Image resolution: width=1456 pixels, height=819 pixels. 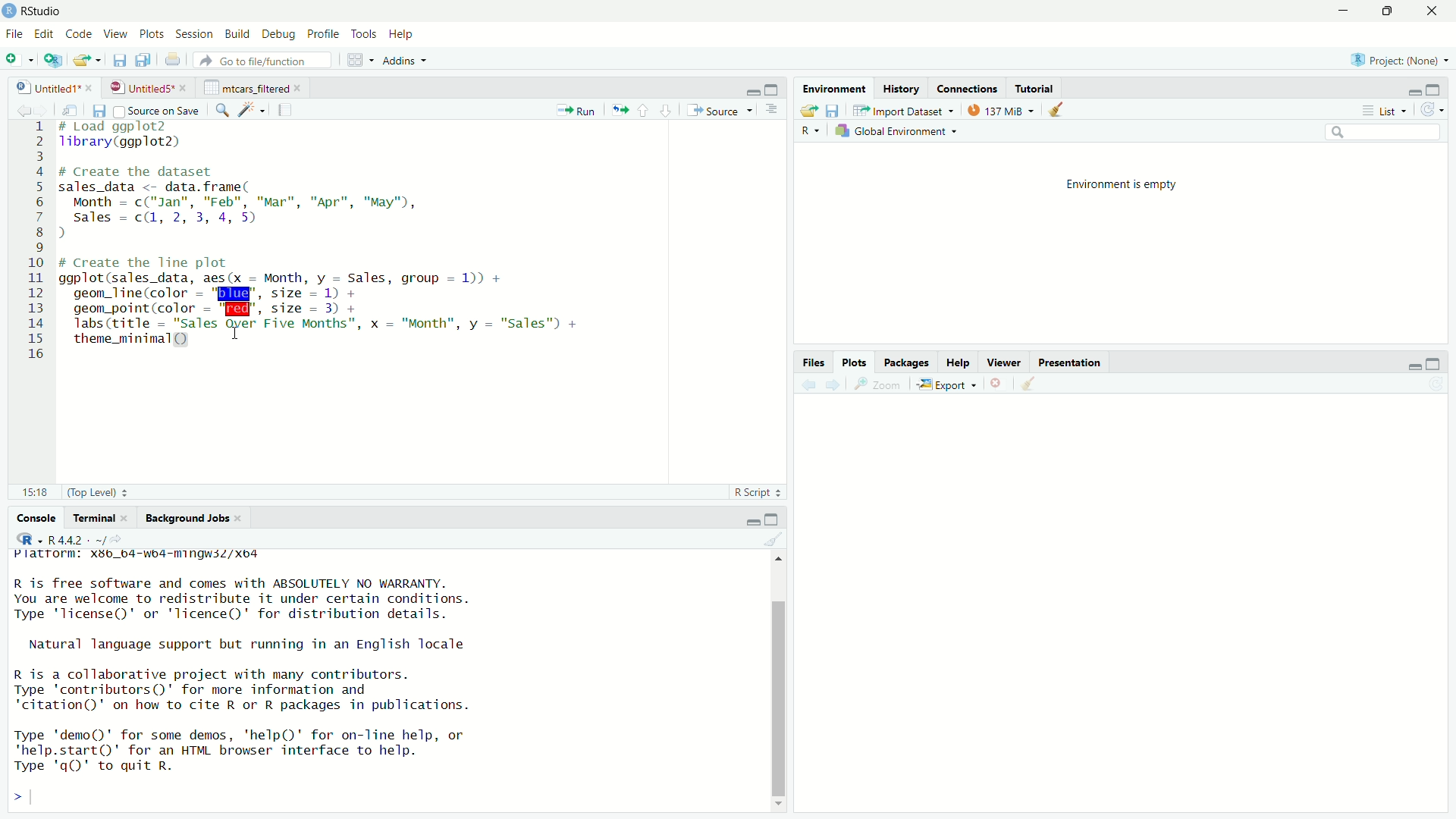 I want to click on minimize, so click(x=1348, y=10).